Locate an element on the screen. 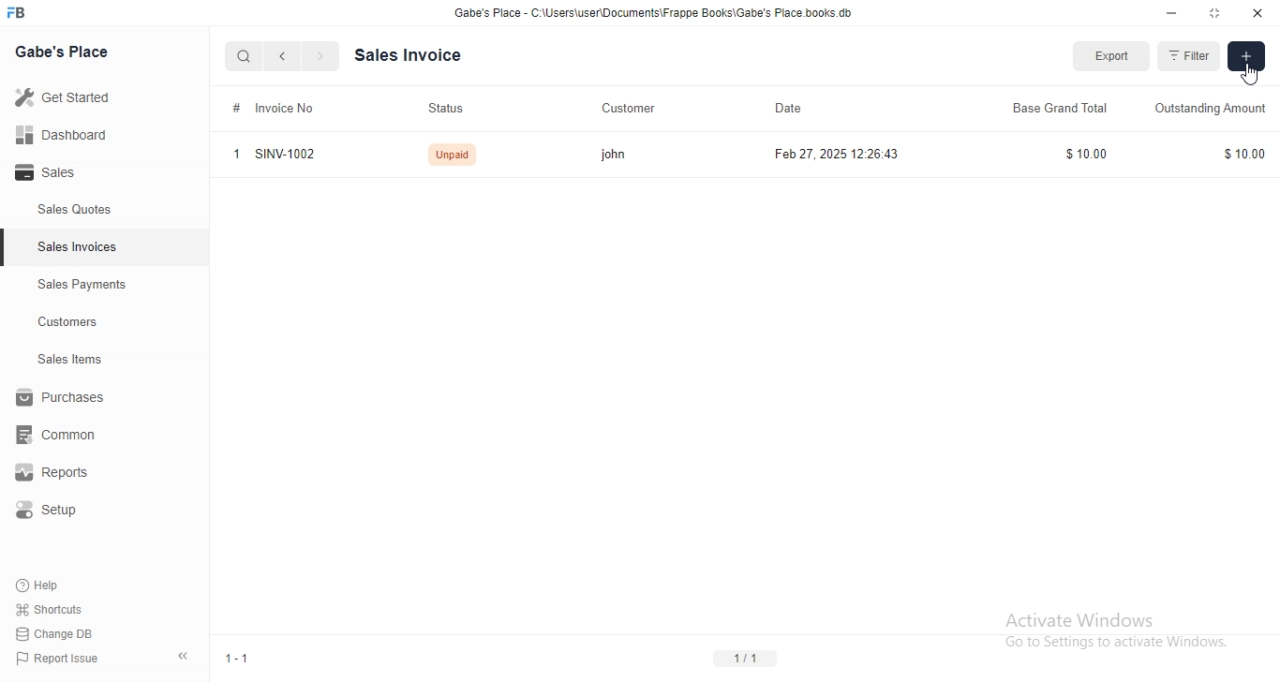  Feb 27, 2025 1226.43 is located at coordinates (850, 158).